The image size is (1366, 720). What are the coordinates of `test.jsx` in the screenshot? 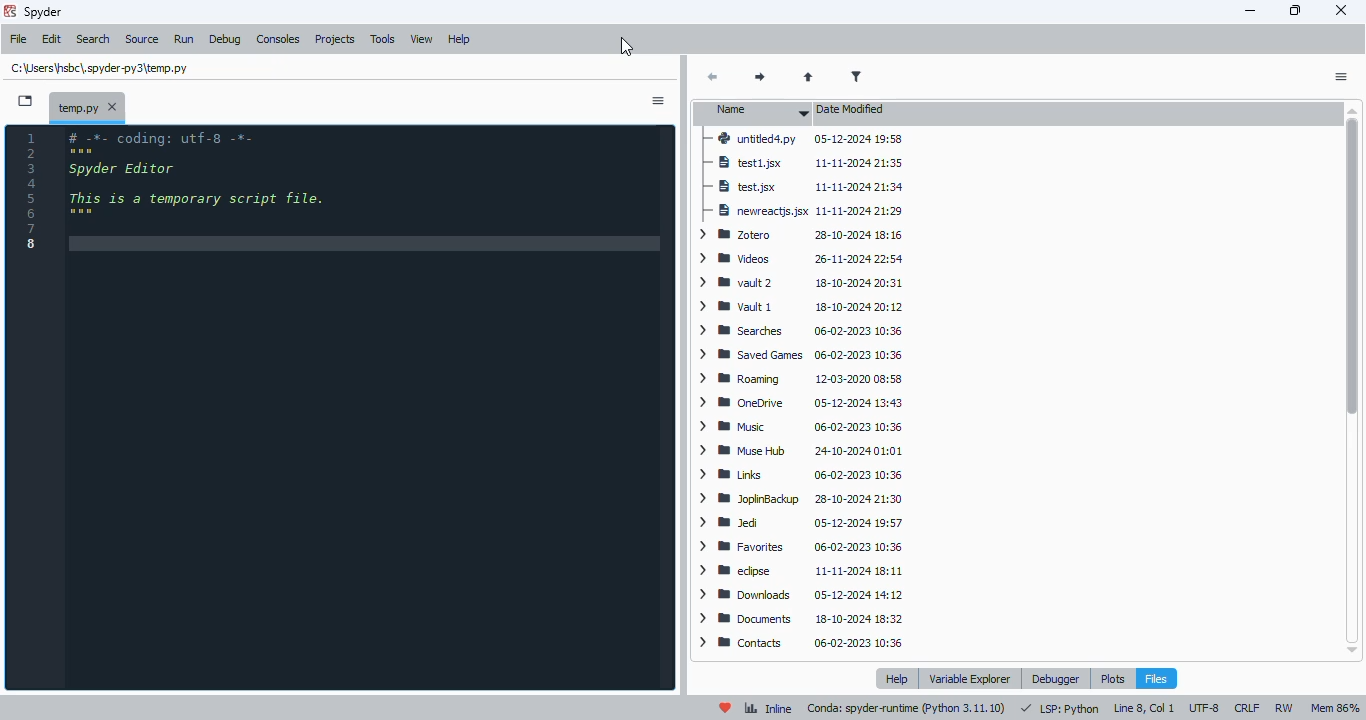 It's located at (804, 185).